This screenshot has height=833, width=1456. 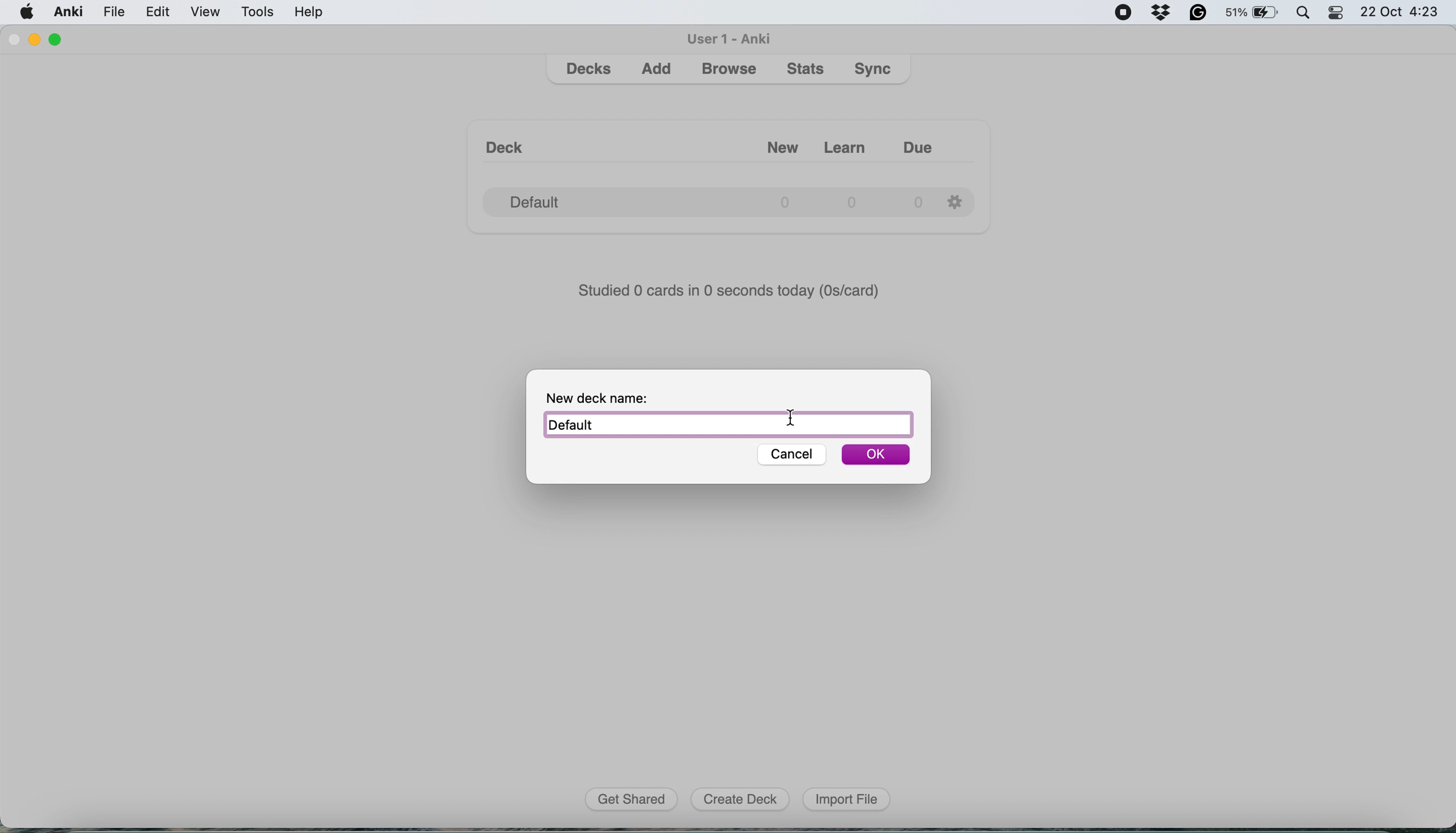 What do you see at coordinates (739, 800) in the screenshot?
I see `create deck` at bounding box center [739, 800].